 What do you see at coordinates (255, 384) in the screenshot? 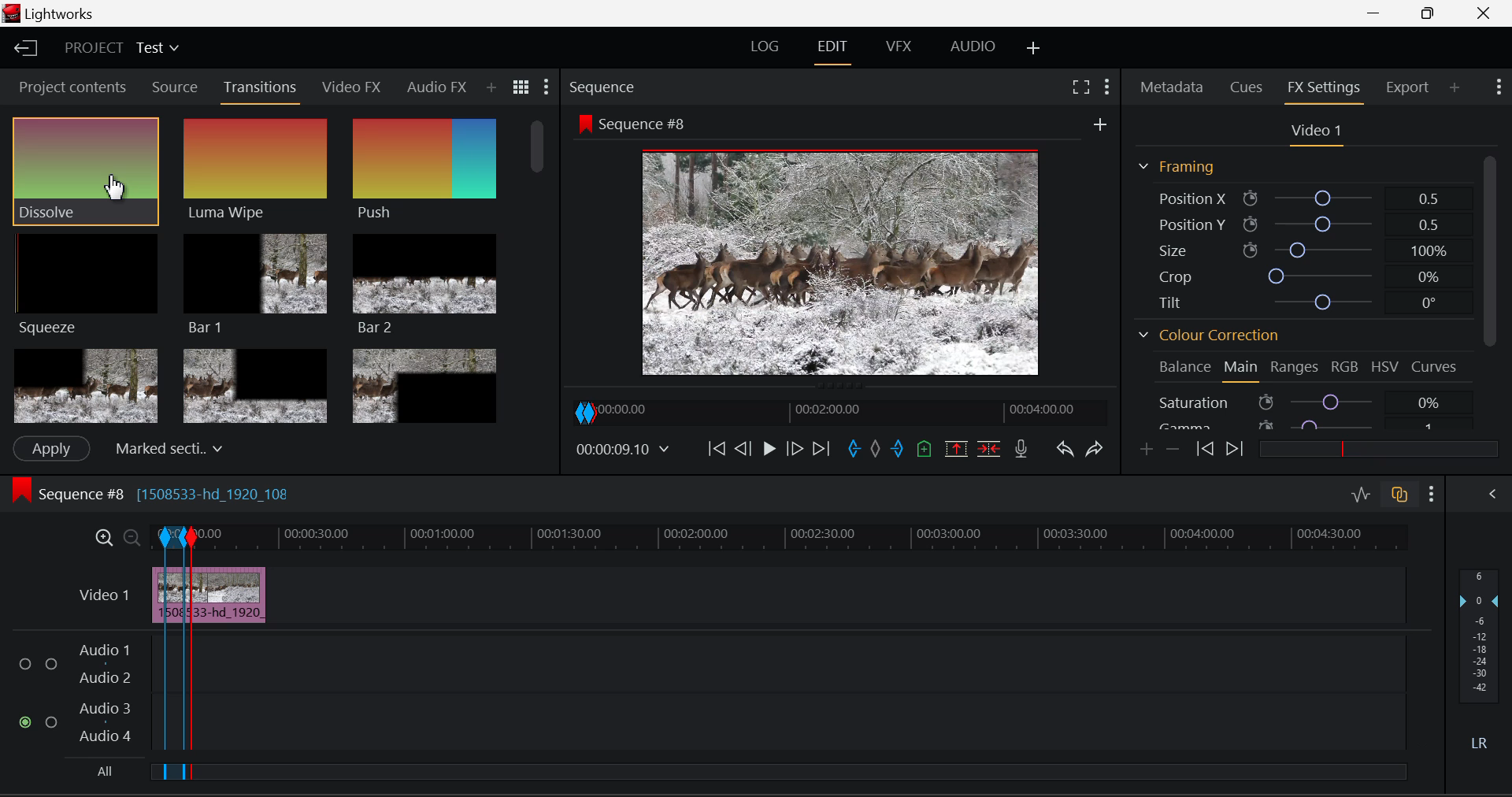
I see `Box 2` at bounding box center [255, 384].